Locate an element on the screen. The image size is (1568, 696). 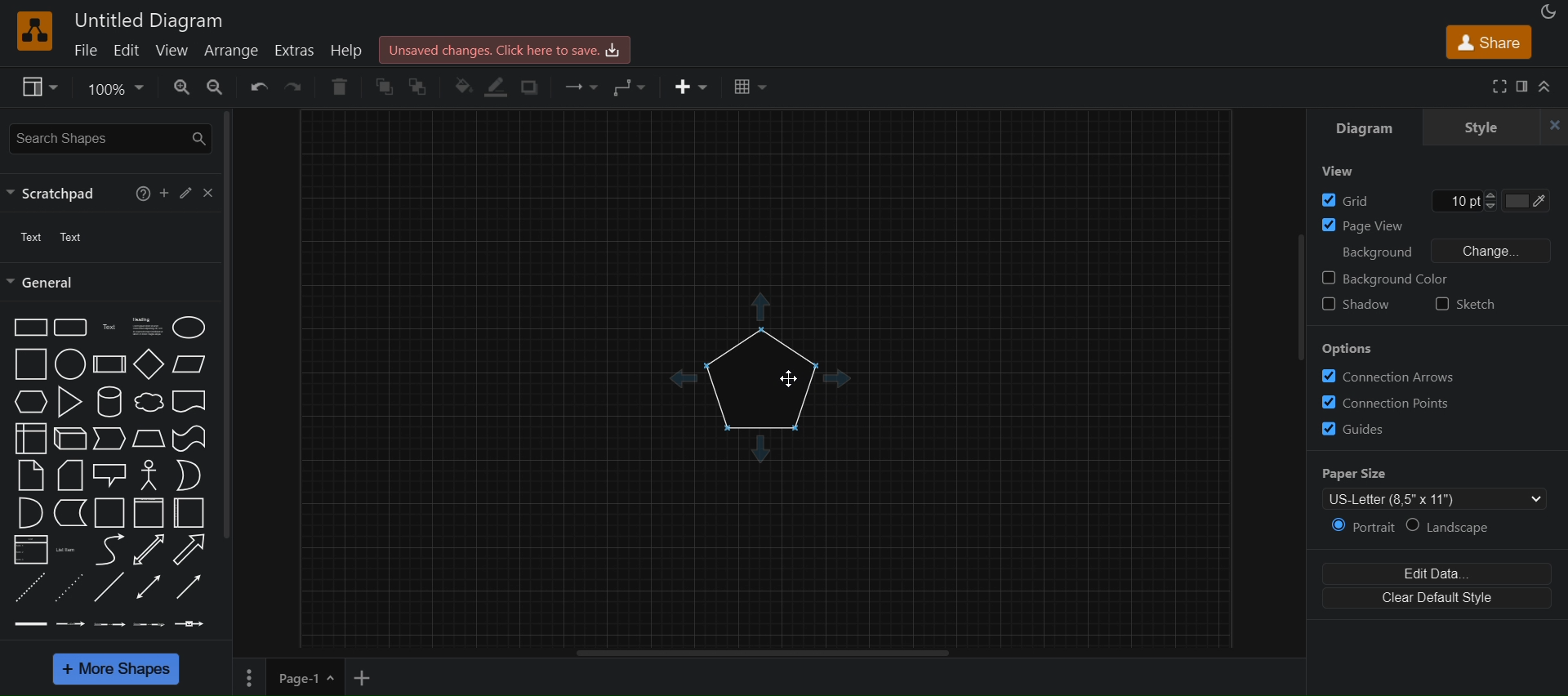
options is located at coordinates (1348, 348).